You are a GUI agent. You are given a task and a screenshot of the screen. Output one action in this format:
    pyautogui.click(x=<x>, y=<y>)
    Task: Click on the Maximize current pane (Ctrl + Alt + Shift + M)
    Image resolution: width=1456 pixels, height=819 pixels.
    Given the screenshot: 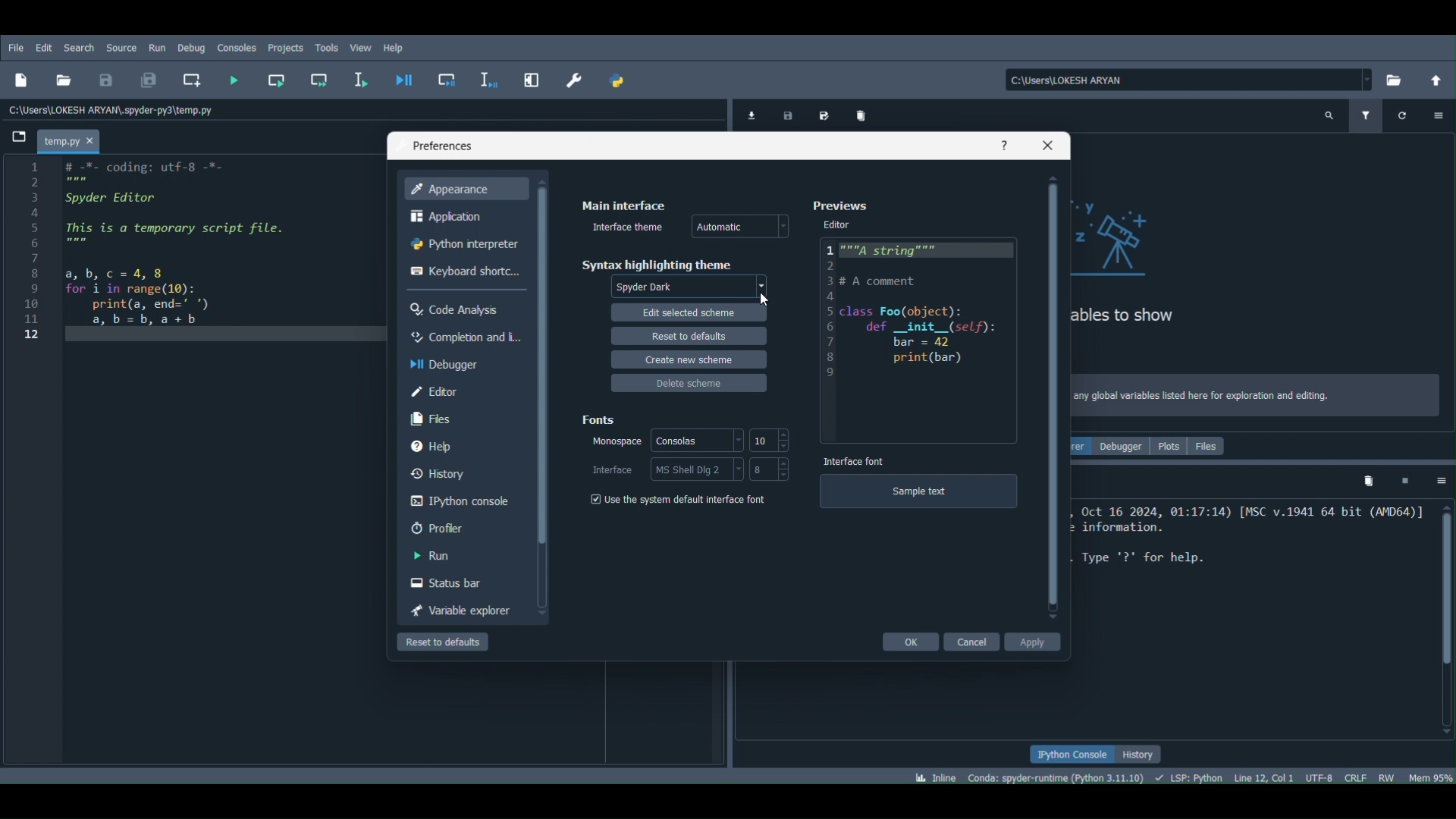 What is the action you would take?
    pyautogui.click(x=531, y=78)
    